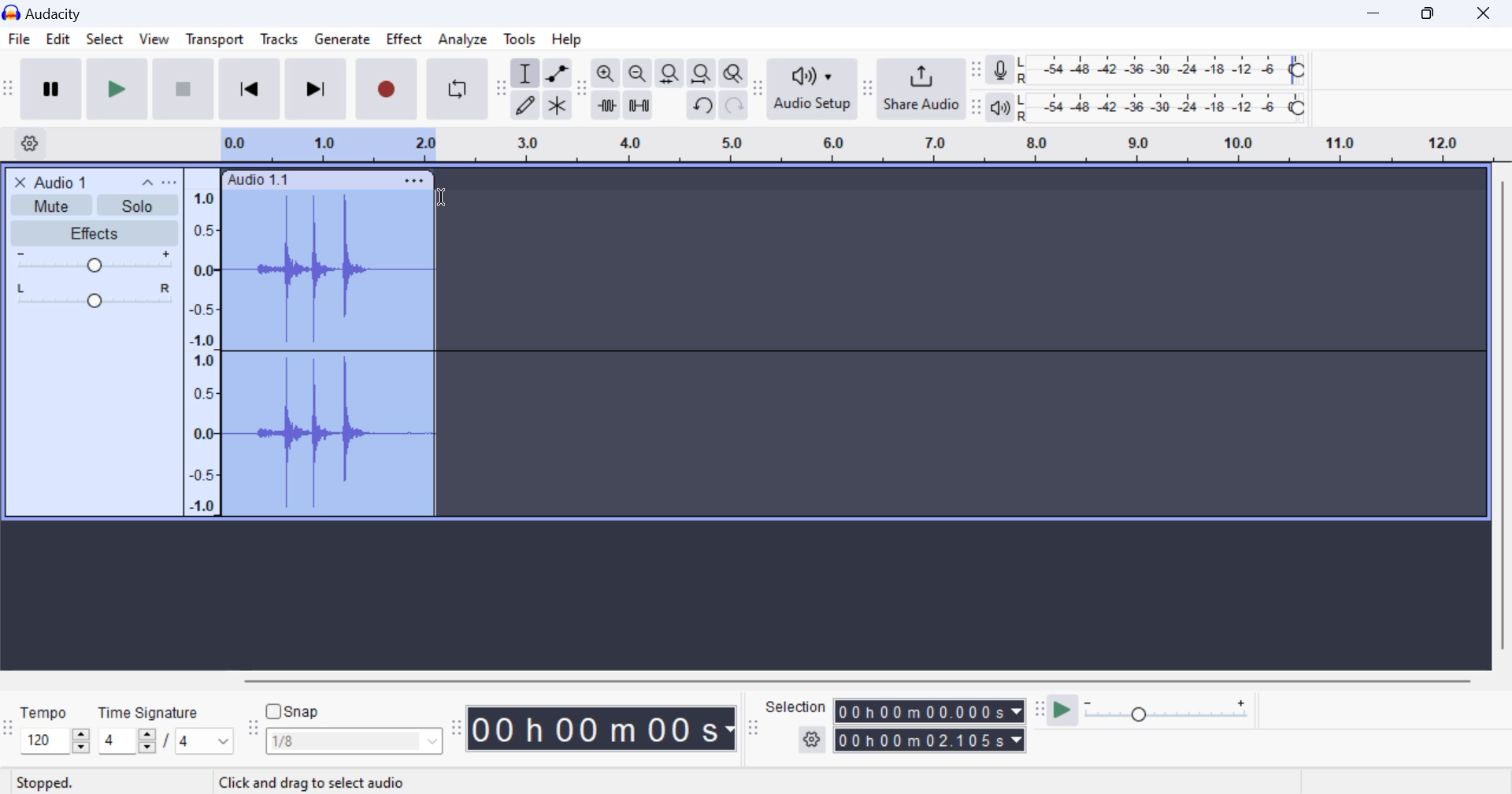 This screenshot has width=1512, height=794. What do you see at coordinates (57, 42) in the screenshot?
I see `Edit` at bounding box center [57, 42].